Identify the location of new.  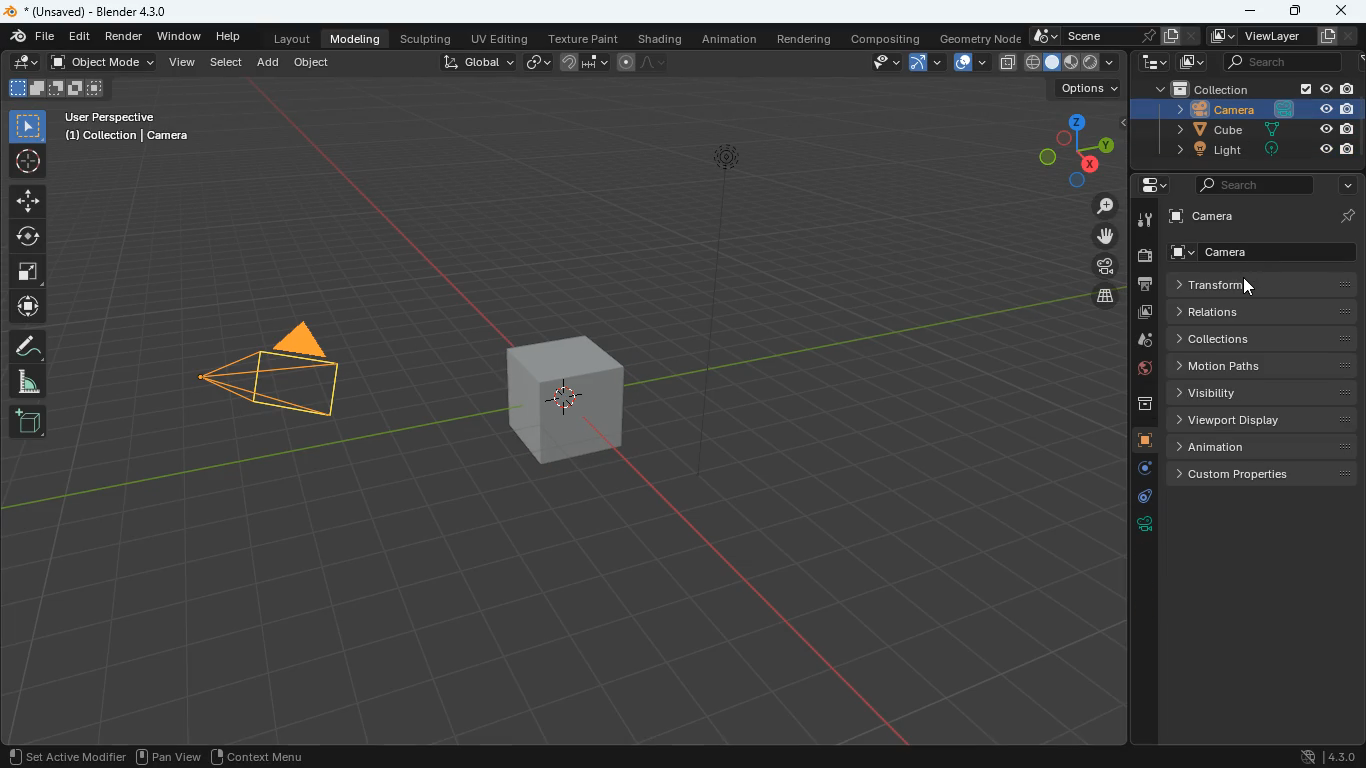
(28, 419).